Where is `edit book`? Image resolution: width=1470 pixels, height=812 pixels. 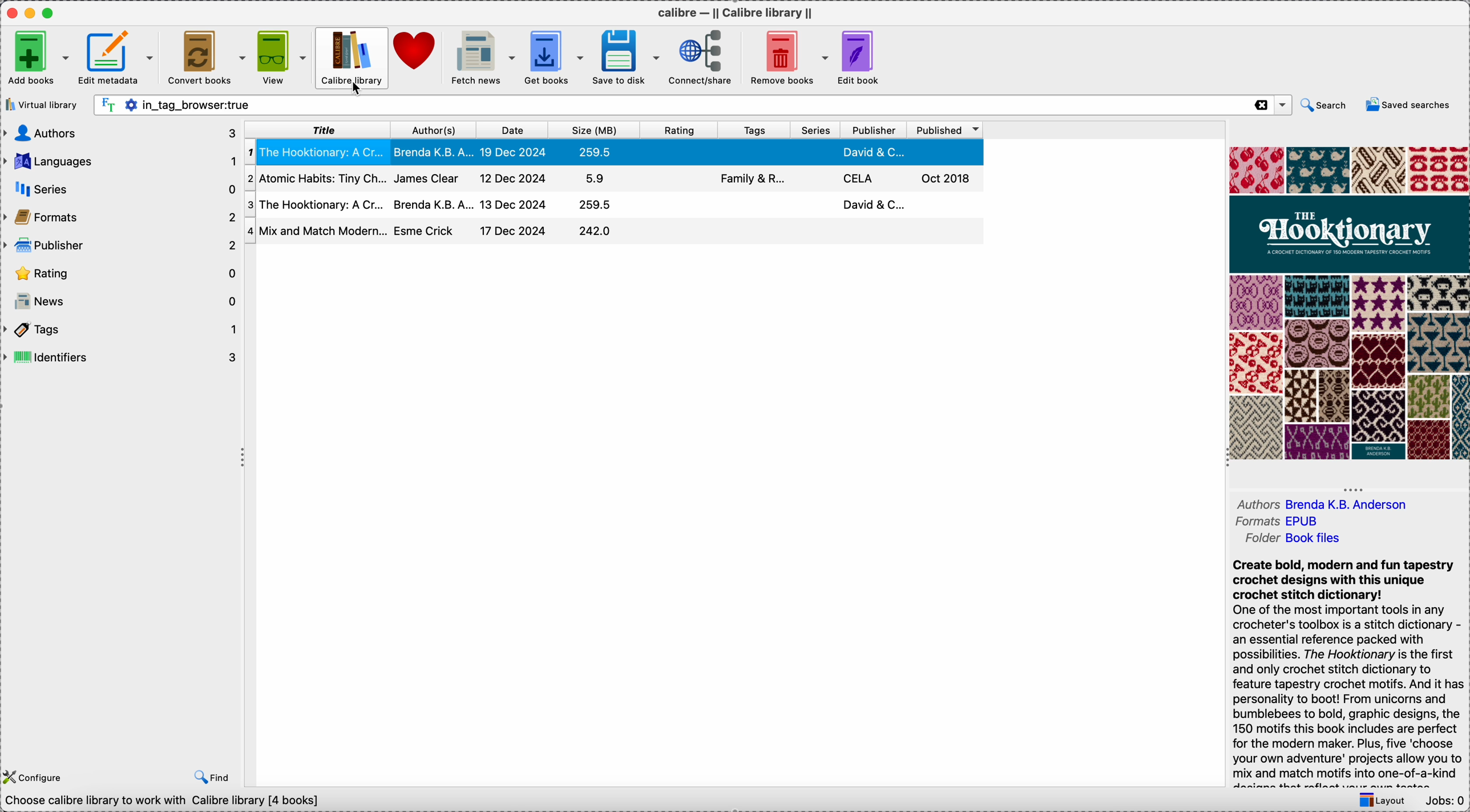 edit book is located at coordinates (863, 58).